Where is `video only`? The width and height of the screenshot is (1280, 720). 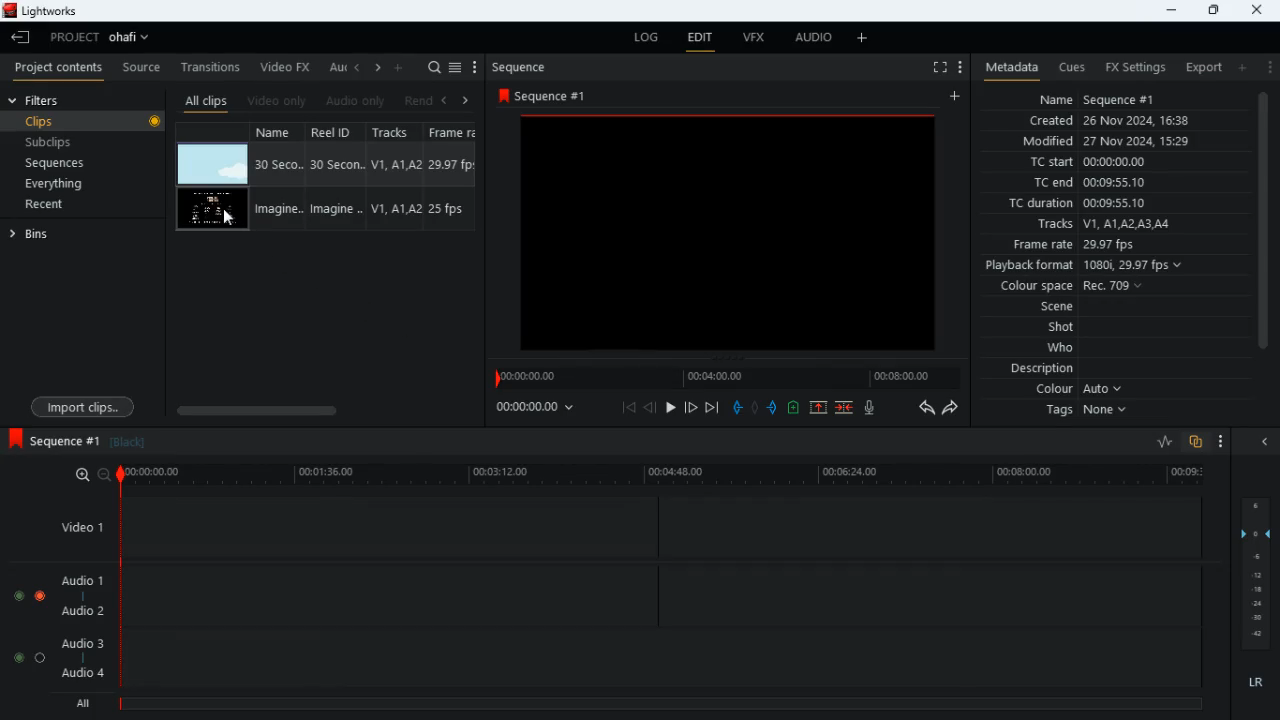 video only is located at coordinates (278, 101).